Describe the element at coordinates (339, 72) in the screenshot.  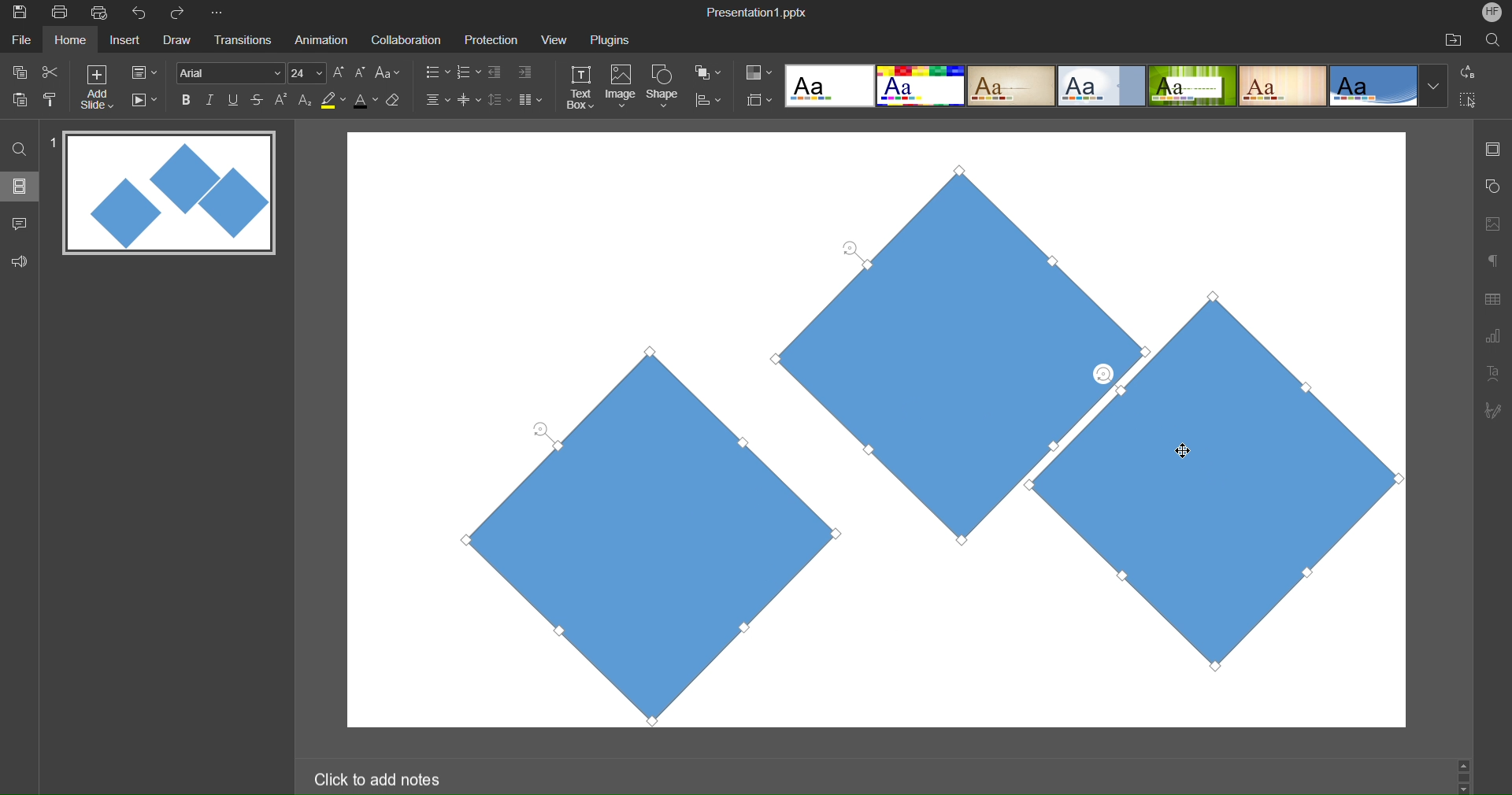
I see `Increase Font` at that location.